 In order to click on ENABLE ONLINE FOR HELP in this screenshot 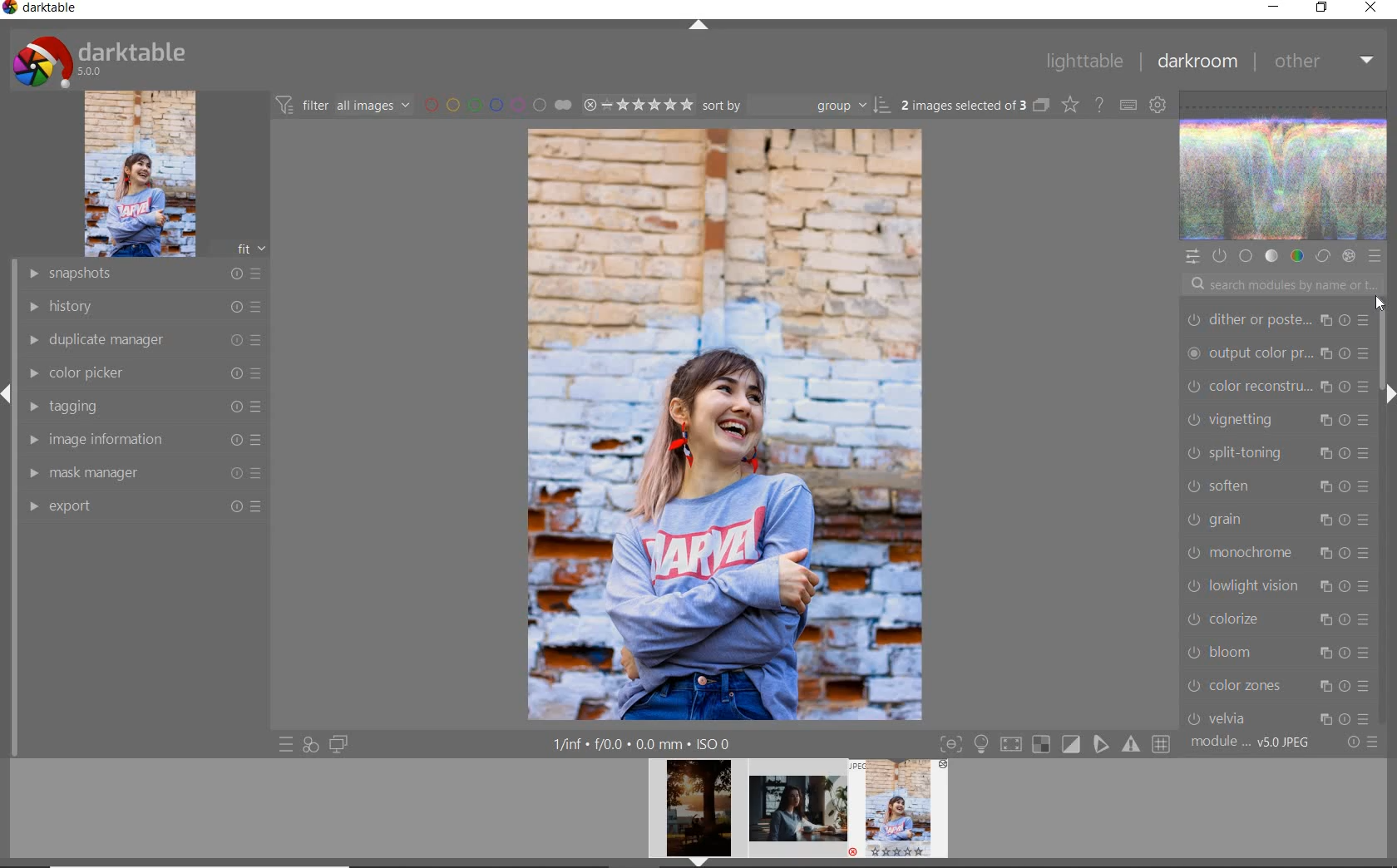, I will do `click(1098, 103)`.